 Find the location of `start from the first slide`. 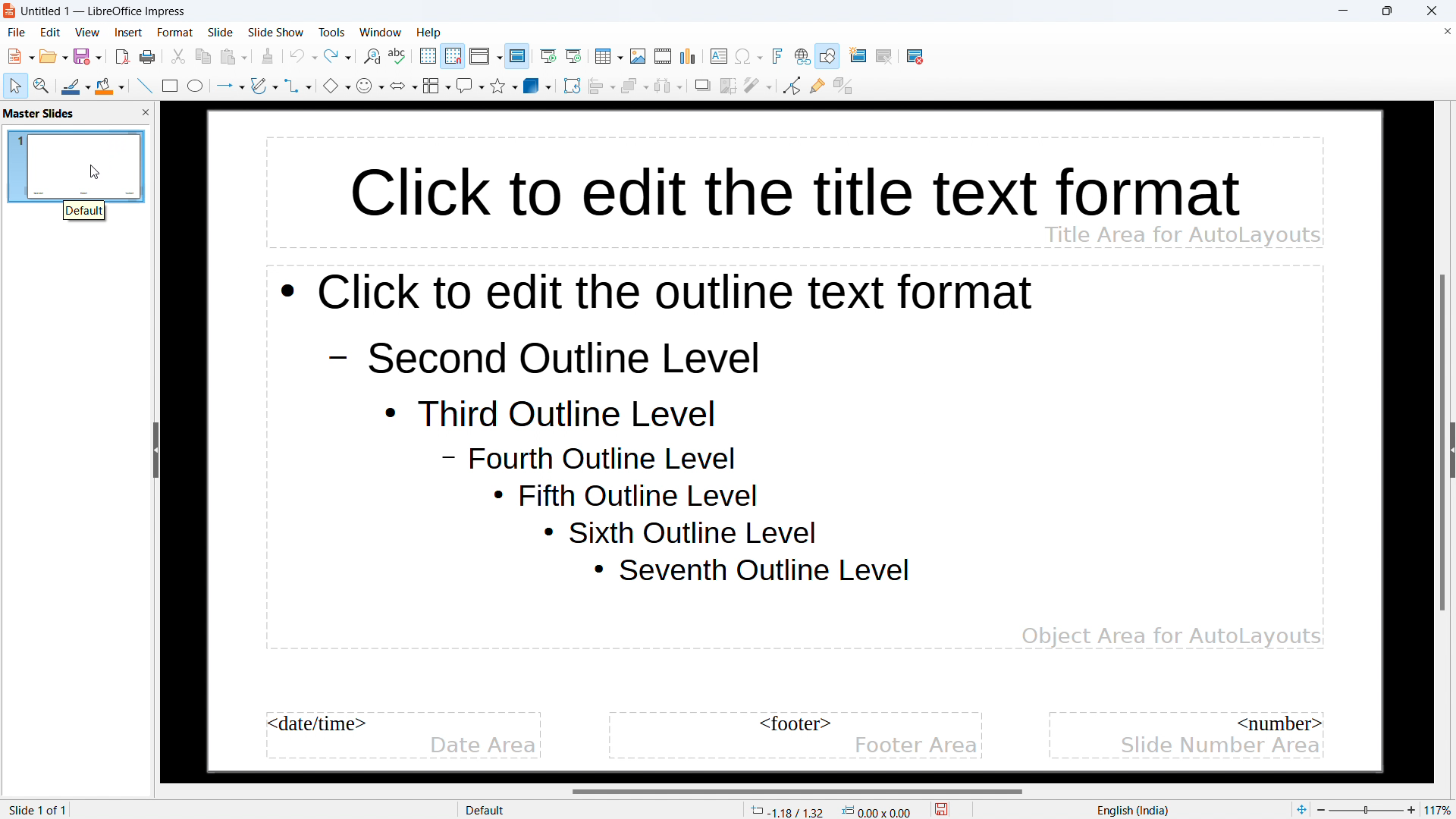

start from the first slide is located at coordinates (549, 57).